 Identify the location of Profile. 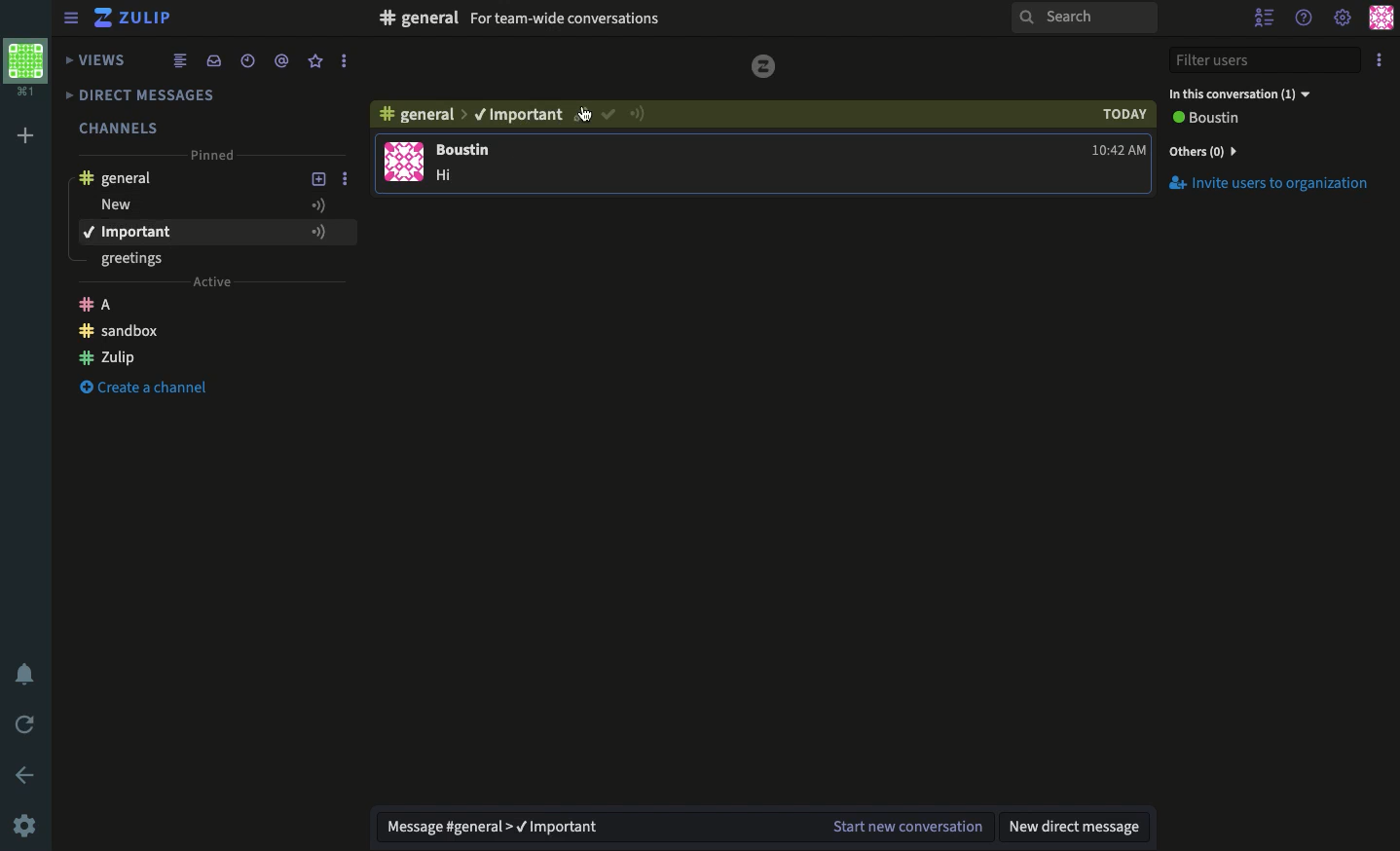
(1379, 19).